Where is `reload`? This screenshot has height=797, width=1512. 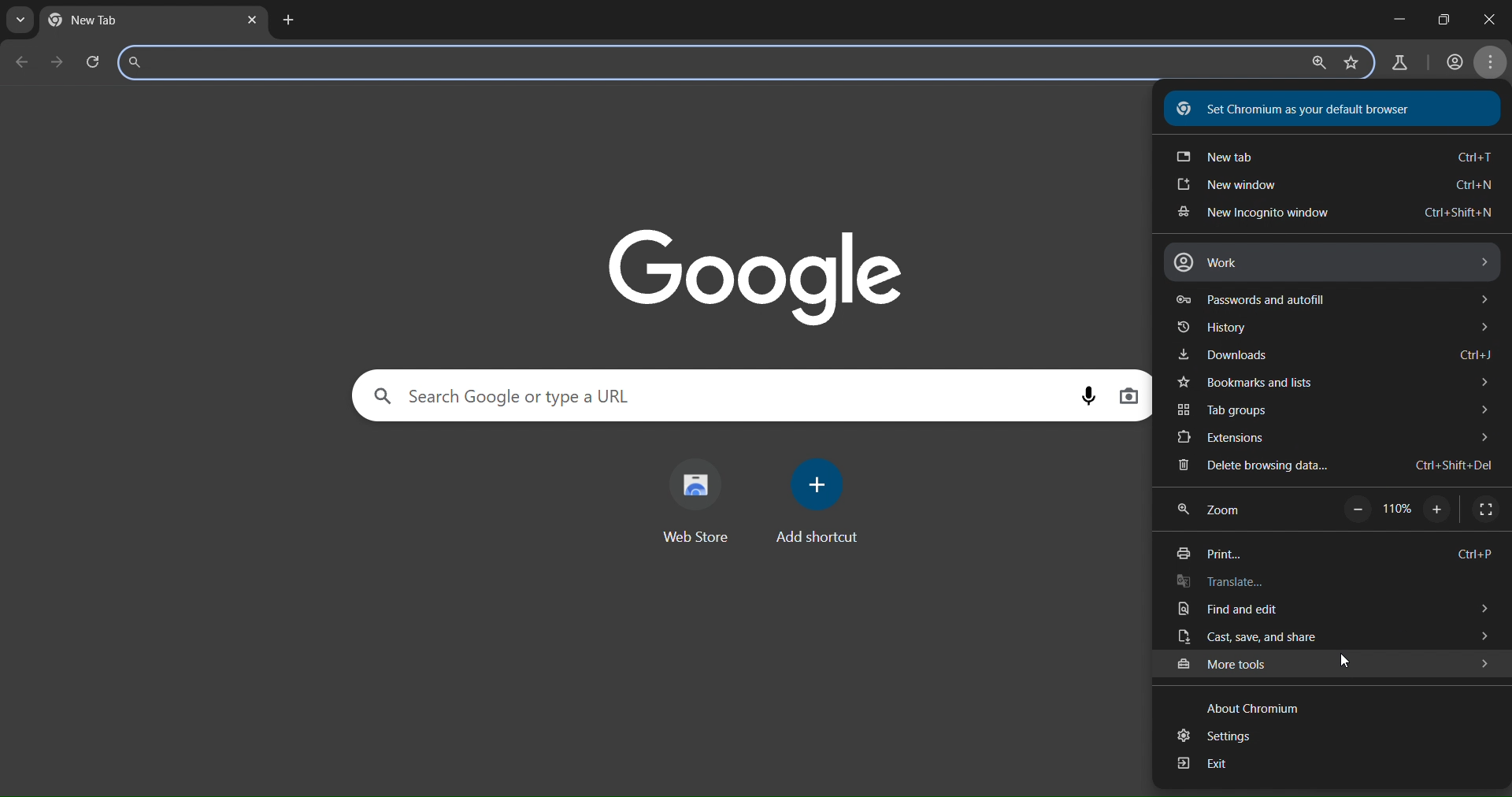
reload is located at coordinates (98, 61).